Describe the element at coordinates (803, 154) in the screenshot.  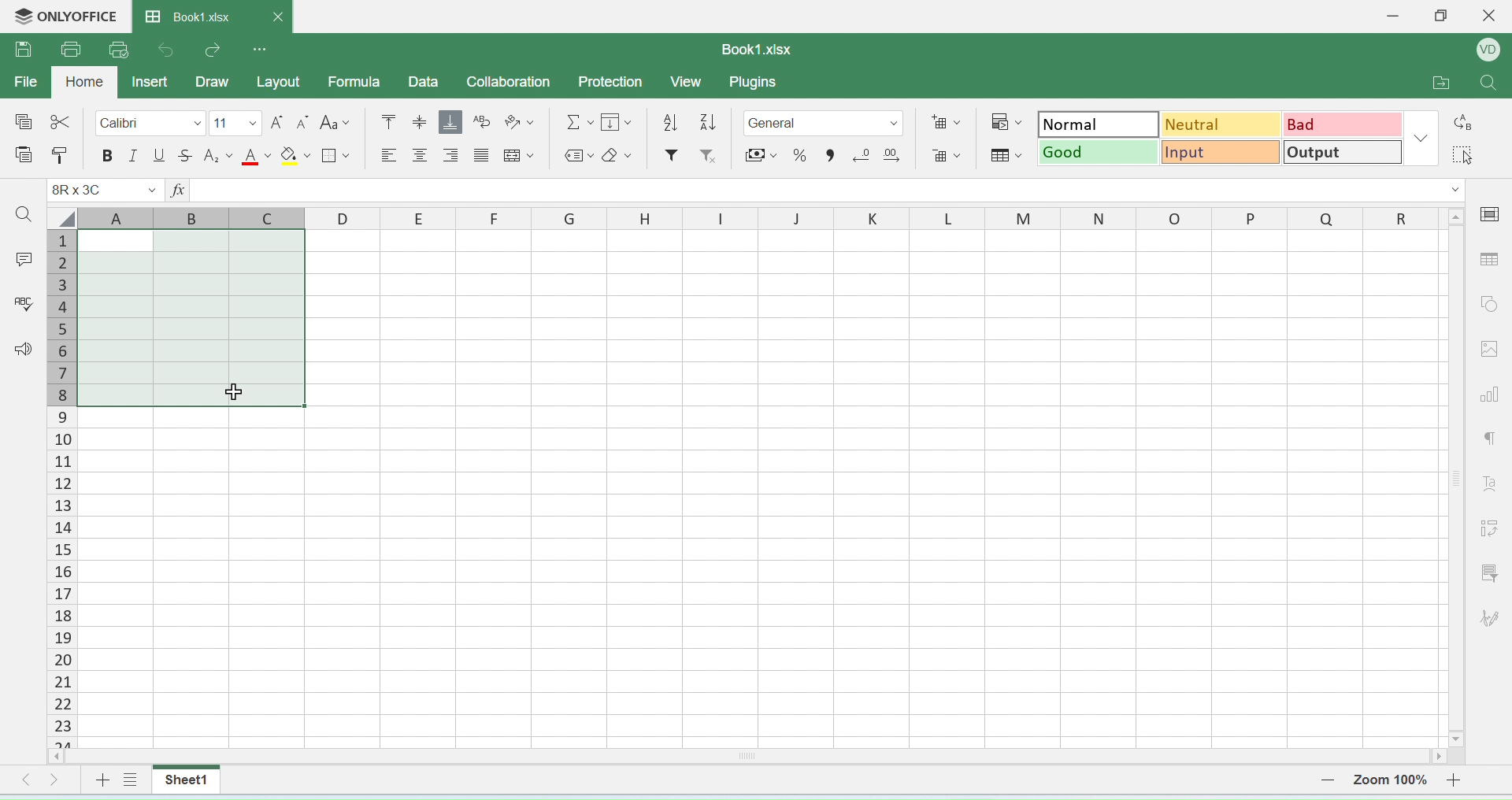
I see `percent` at that location.